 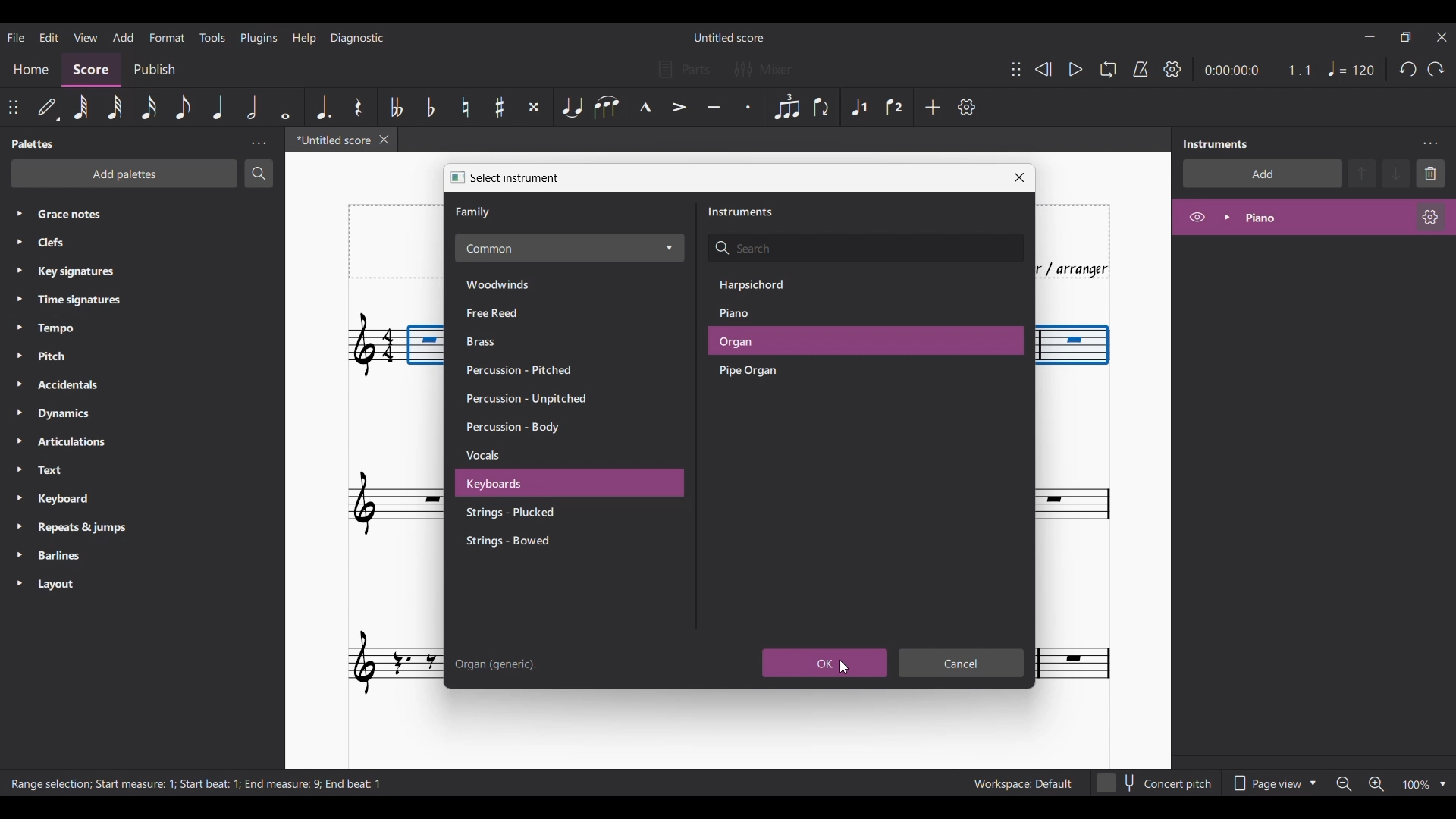 What do you see at coordinates (1436, 69) in the screenshot?
I see `Redo` at bounding box center [1436, 69].